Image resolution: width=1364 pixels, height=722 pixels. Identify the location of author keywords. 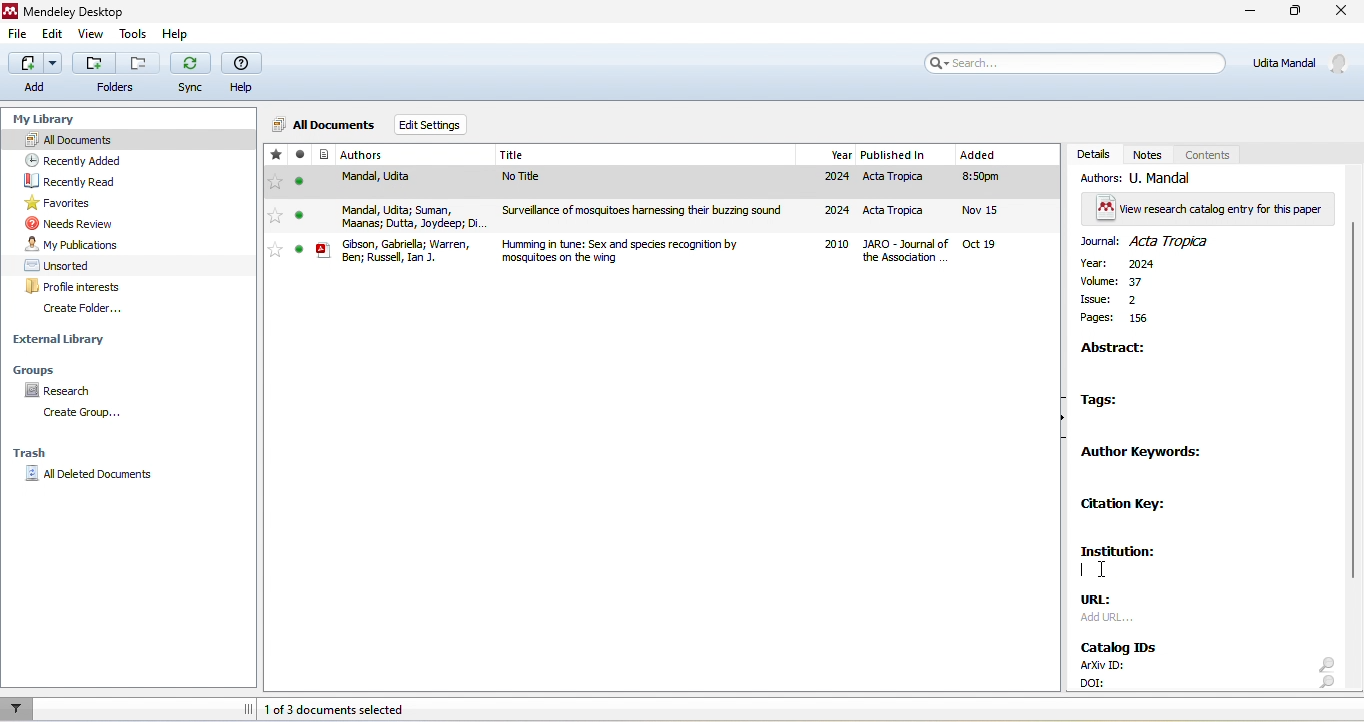
(1144, 454).